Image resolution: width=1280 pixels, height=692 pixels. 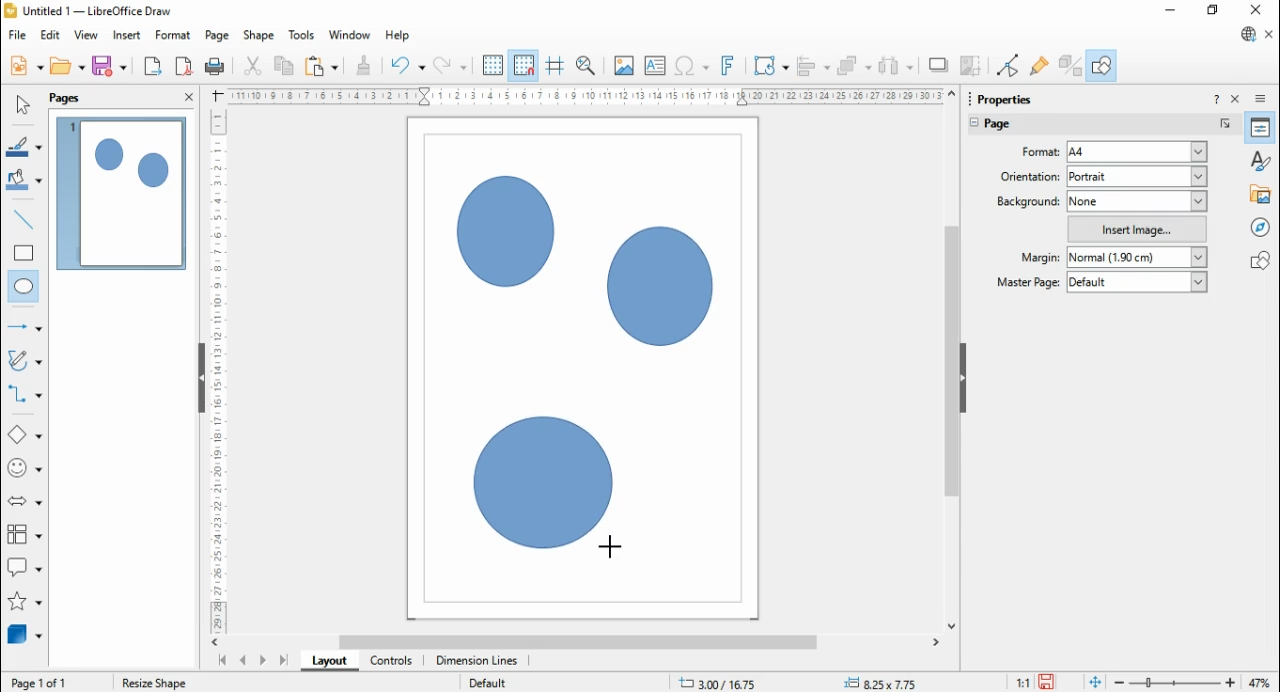 What do you see at coordinates (1136, 152) in the screenshot?
I see `a4` at bounding box center [1136, 152].